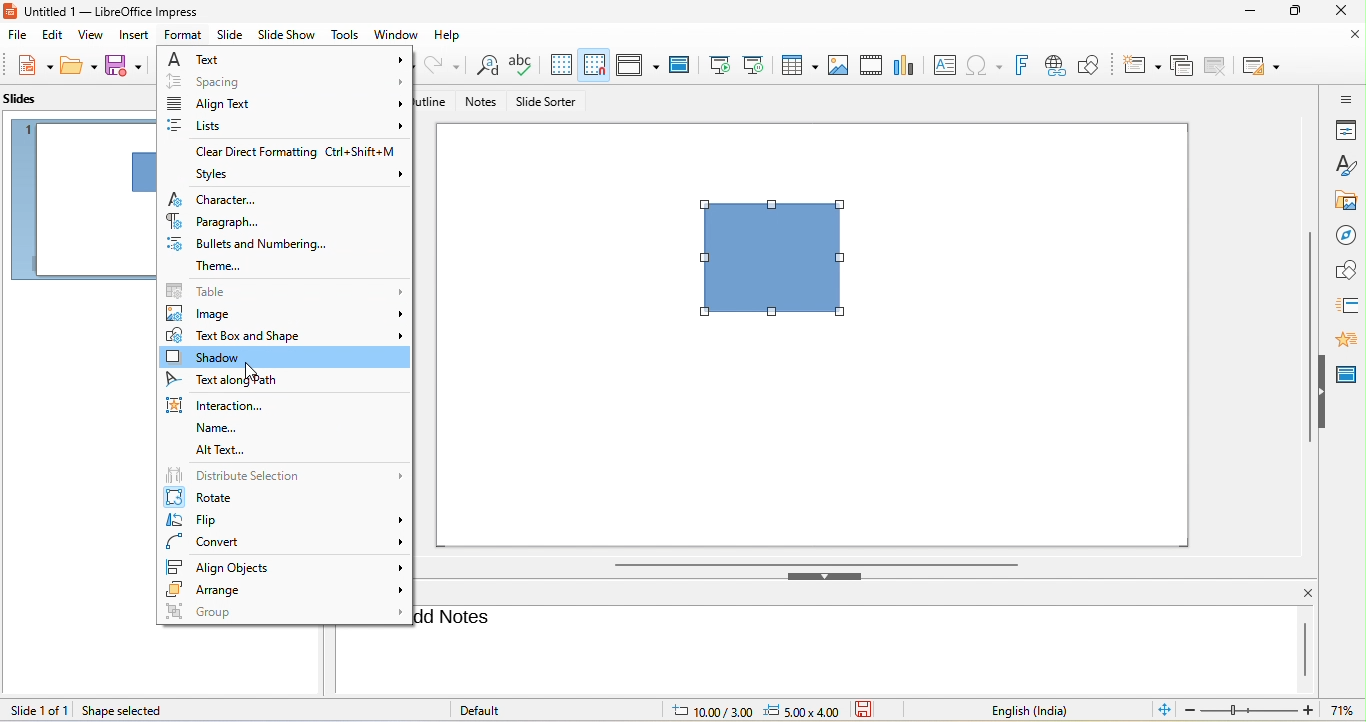 This screenshot has height=722, width=1366. What do you see at coordinates (18, 36) in the screenshot?
I see `file` at bounding box center [18, 36].